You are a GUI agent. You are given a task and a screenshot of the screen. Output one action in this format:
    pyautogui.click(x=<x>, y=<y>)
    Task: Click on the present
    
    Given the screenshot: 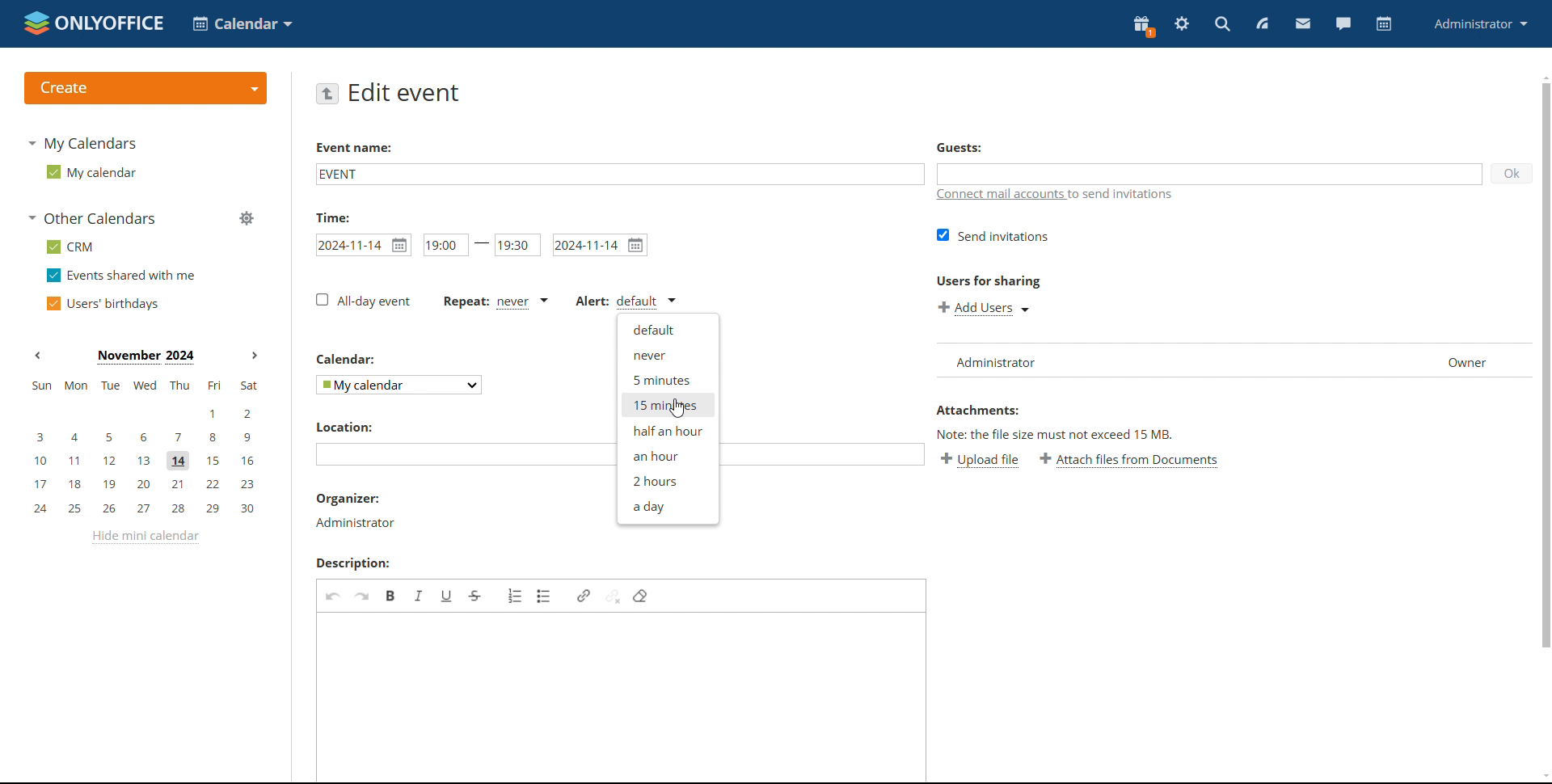 What is the action you would take?
    pyautogui.click(x=1141, y=27)
    